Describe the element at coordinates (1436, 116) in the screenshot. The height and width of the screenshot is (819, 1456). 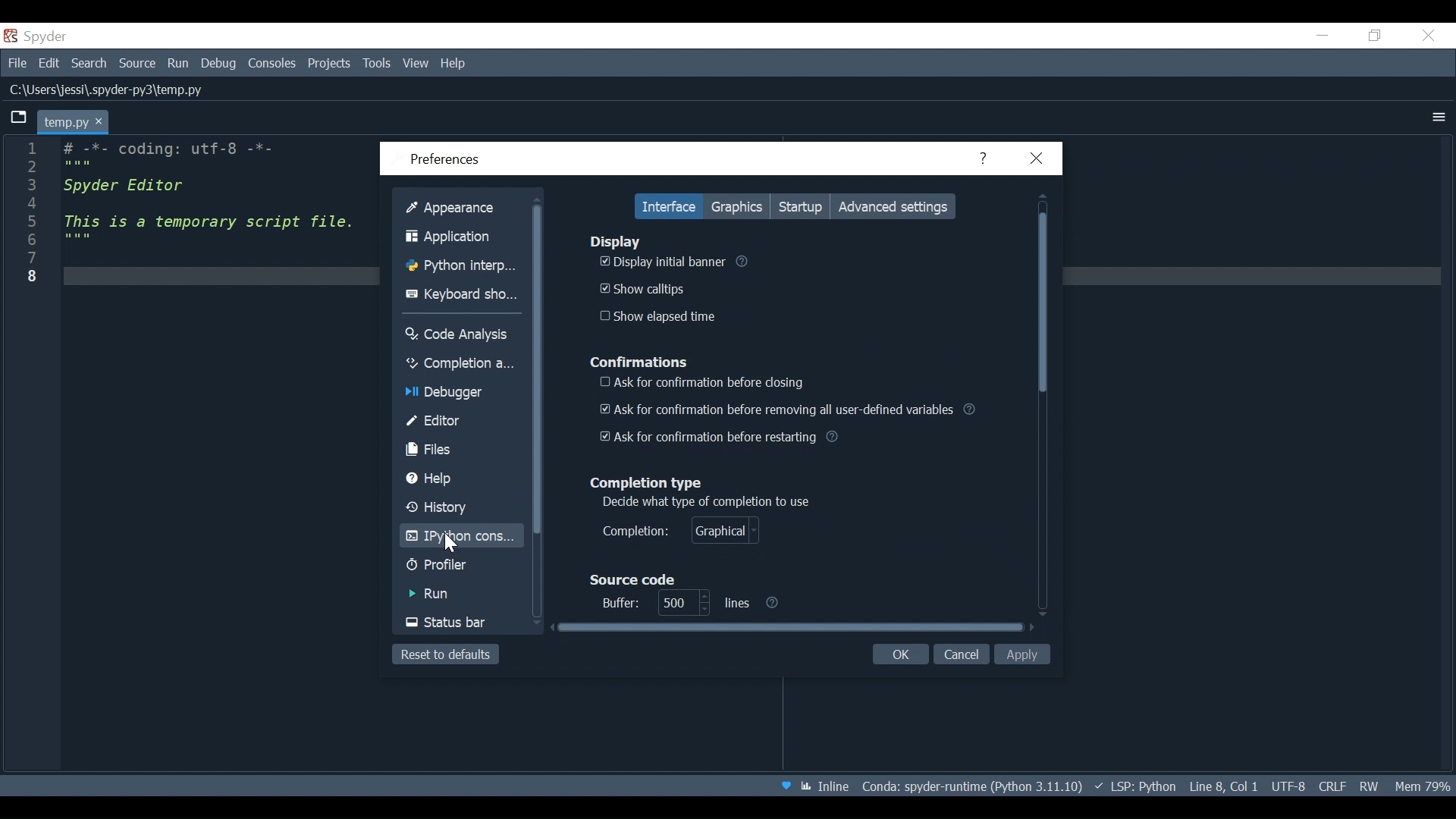
I see `` at that location.